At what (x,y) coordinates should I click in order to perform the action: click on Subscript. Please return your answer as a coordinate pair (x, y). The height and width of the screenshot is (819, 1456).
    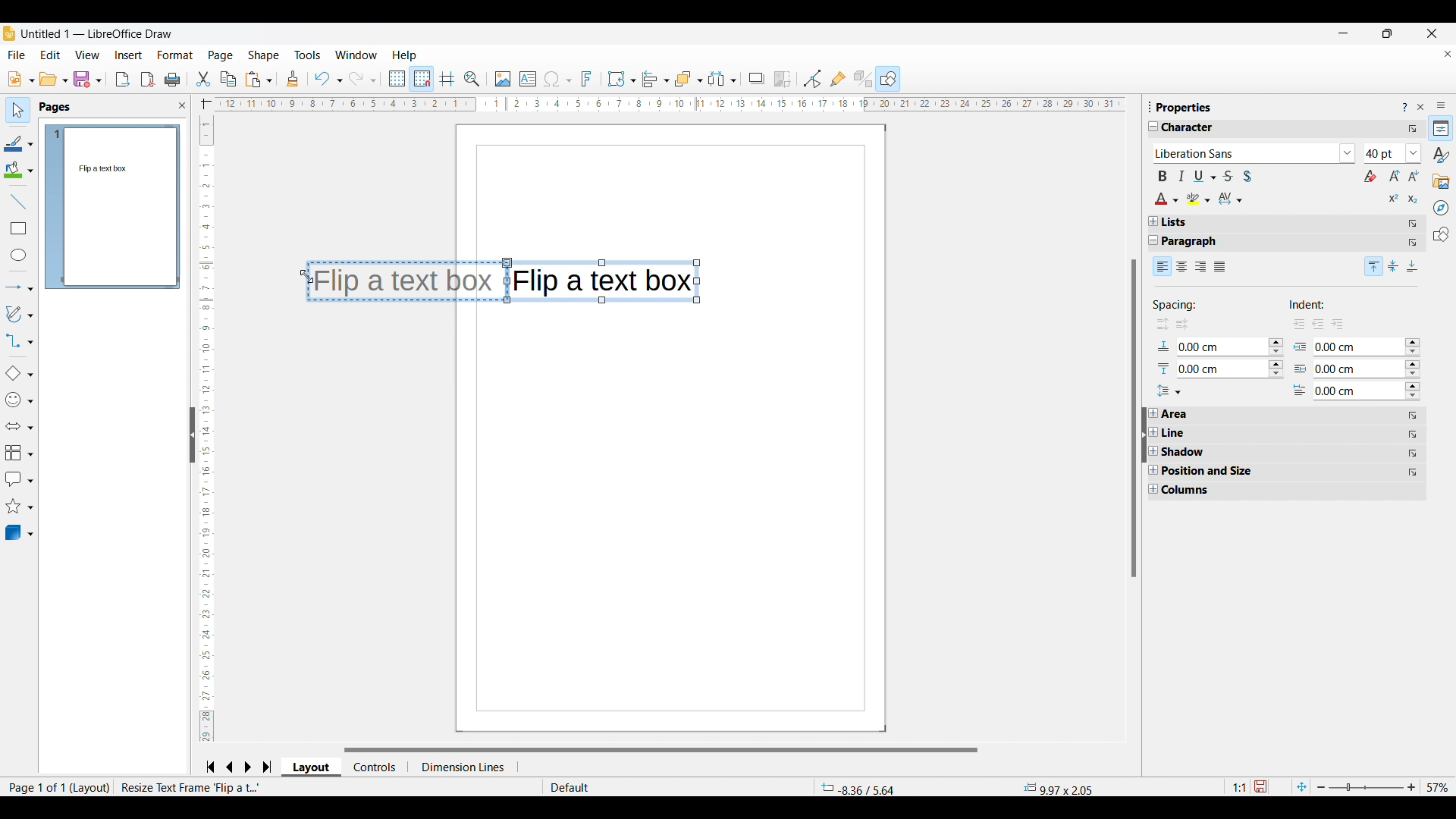
    Looking at the image, I should click on (1414, 199).